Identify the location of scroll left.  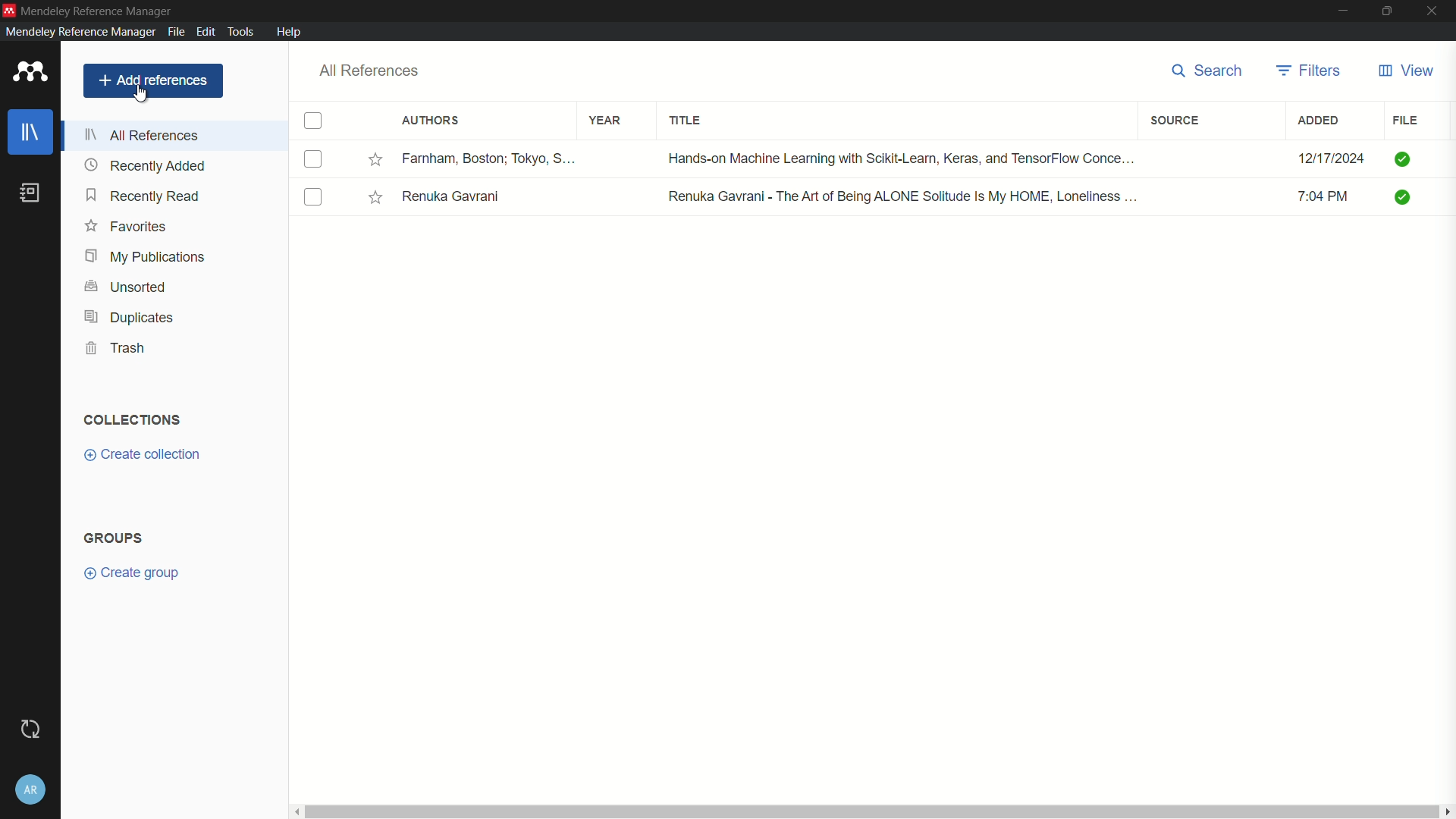
(294, 811).